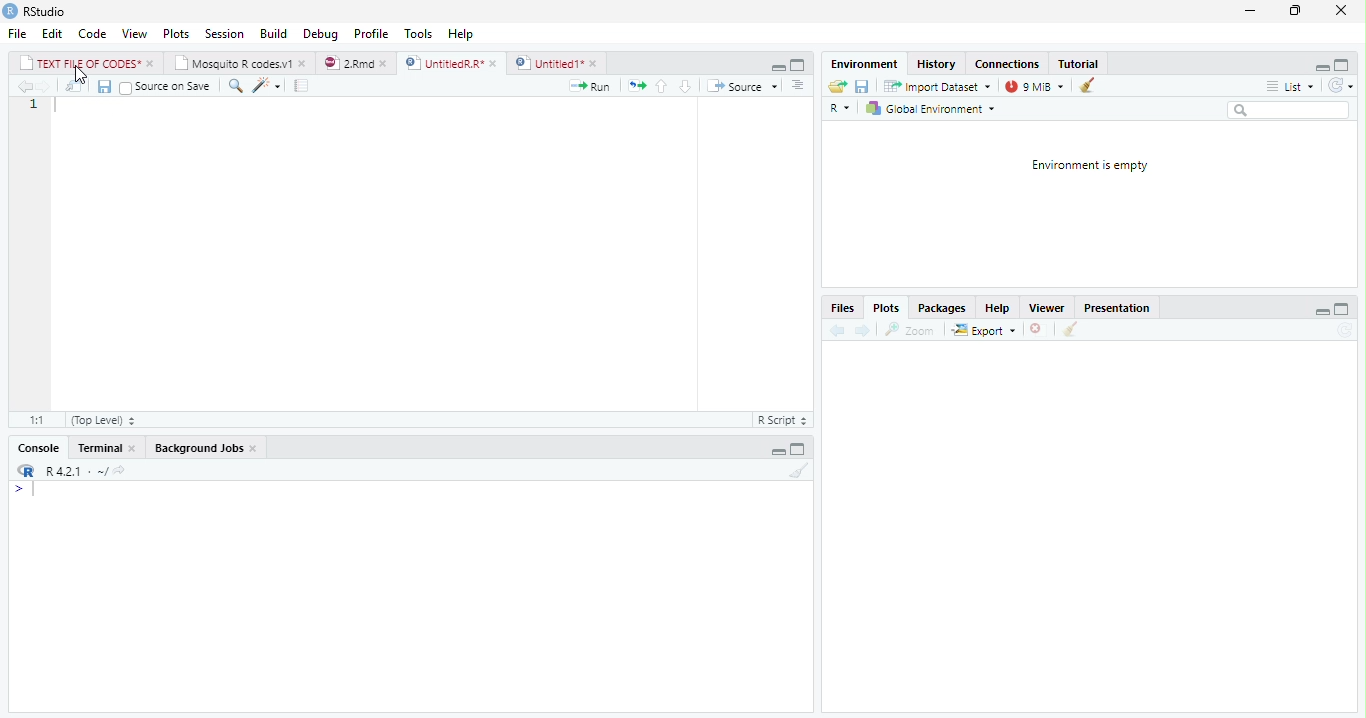  What do you see at coordinates (1069, 330) in the screenshot?
I see `clear all plots` at bounding box center [1069, 330].